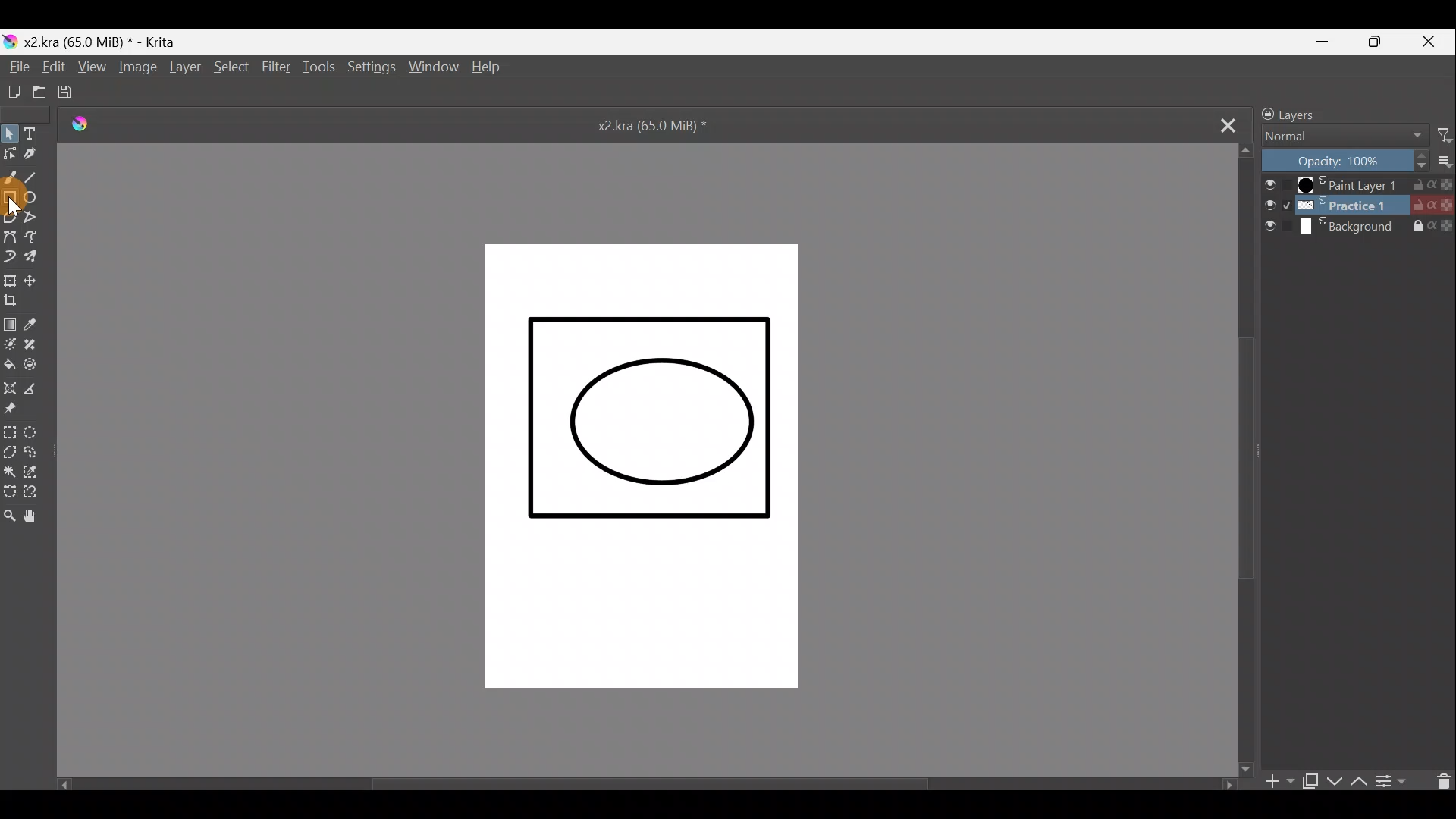 The height and width of the screenshot is (819, 1456). I want to click on View/change layer properties, so click(1395, 781).